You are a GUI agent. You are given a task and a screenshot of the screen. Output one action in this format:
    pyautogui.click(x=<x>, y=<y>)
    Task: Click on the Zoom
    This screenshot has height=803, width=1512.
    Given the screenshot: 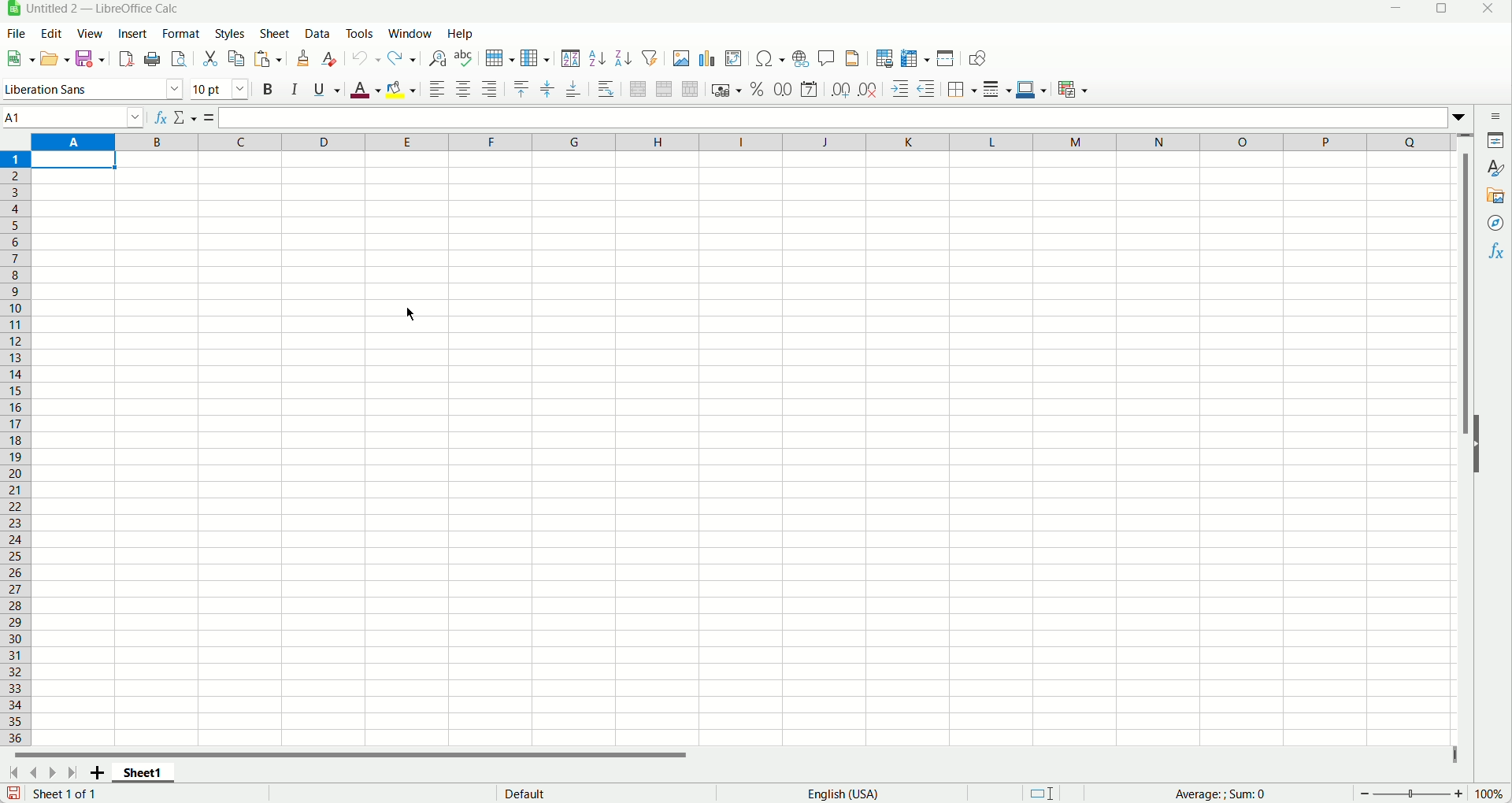 What is the action you would take?
    pyautogui.click(x=1410, y=794)
    